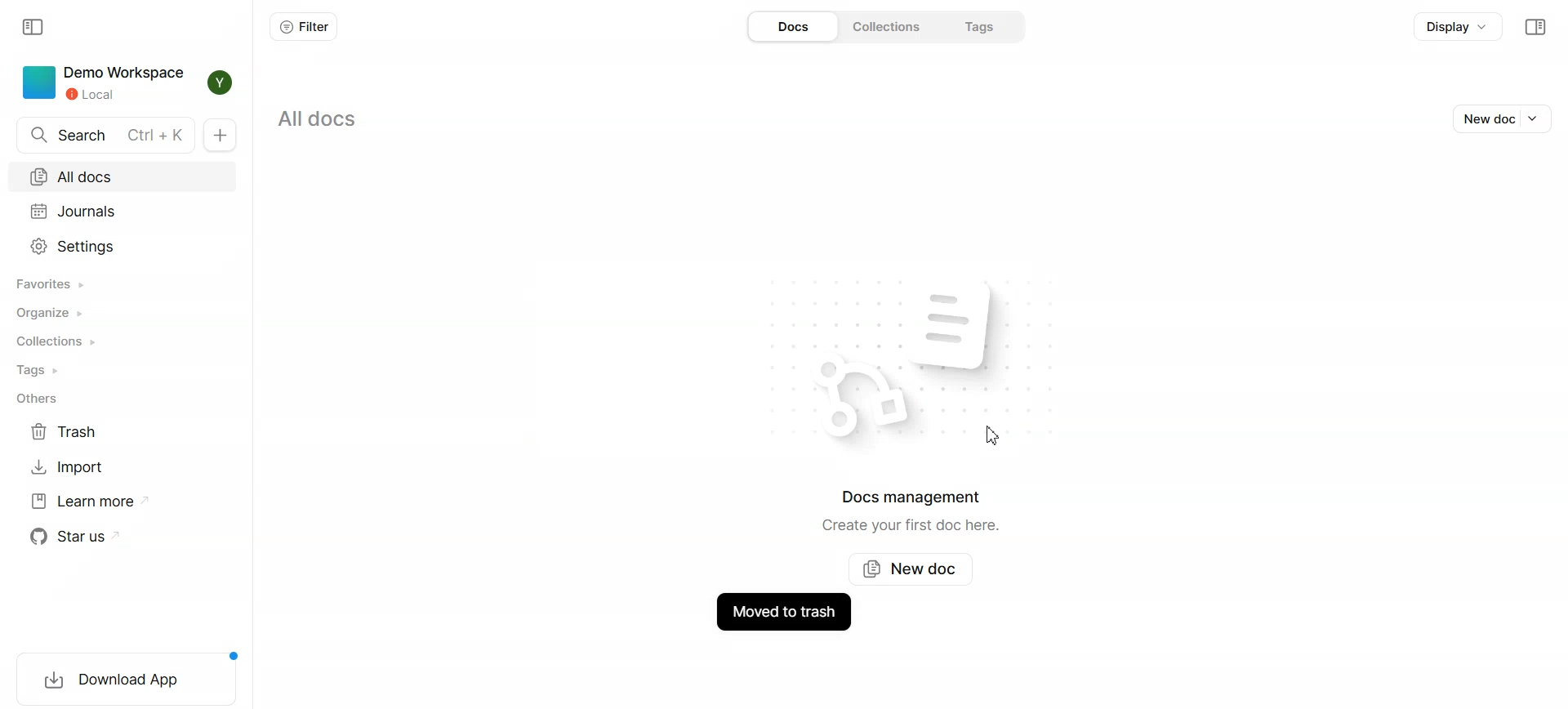 This screenshot has height=709, width=1568. I want to click on All docs, so click(122, 178).